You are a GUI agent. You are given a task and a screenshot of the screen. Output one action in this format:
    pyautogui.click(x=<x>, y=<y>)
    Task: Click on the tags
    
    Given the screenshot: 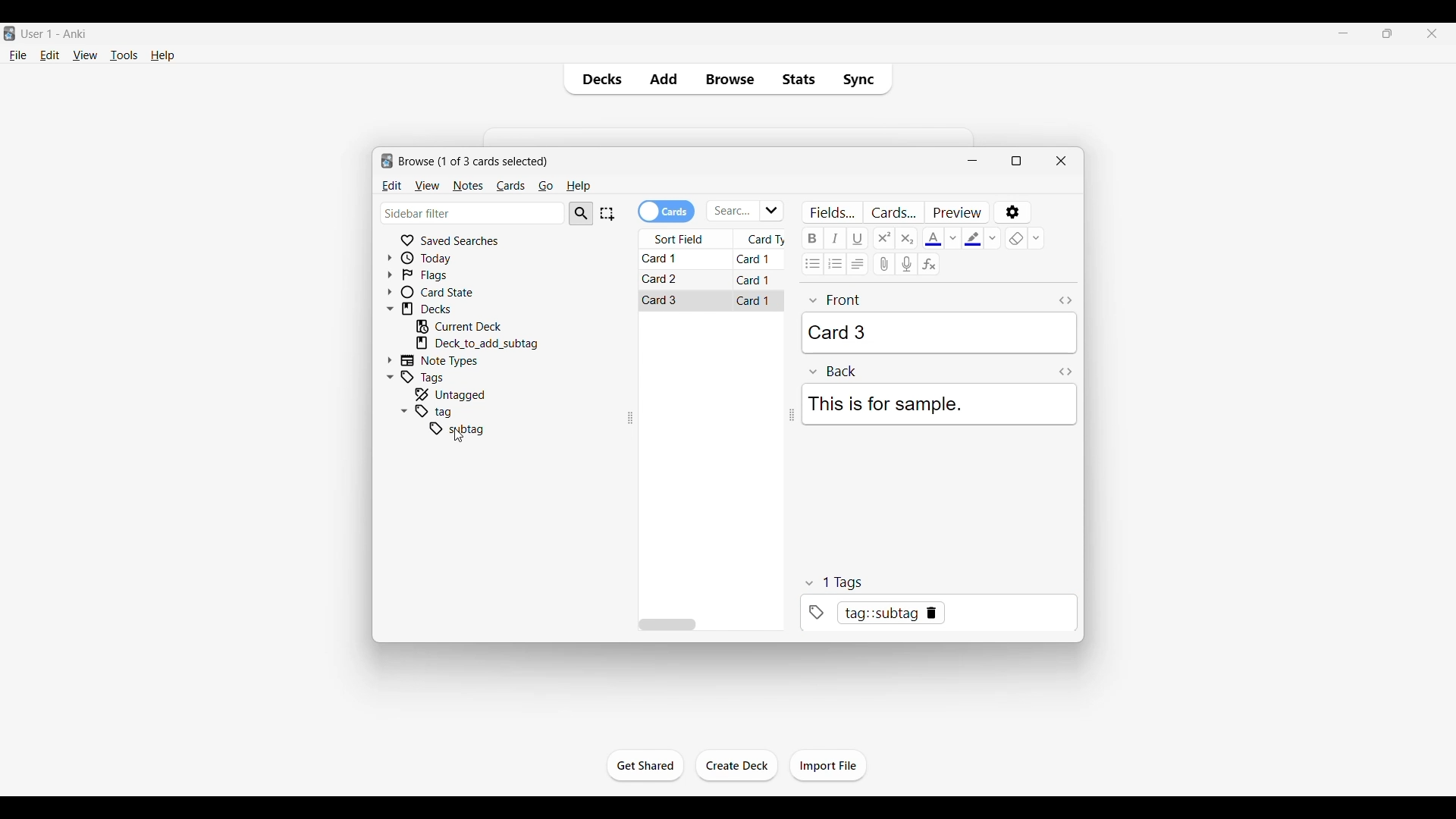 What is the action you would take?
    pyautogui.click(x=839, y=582)
    